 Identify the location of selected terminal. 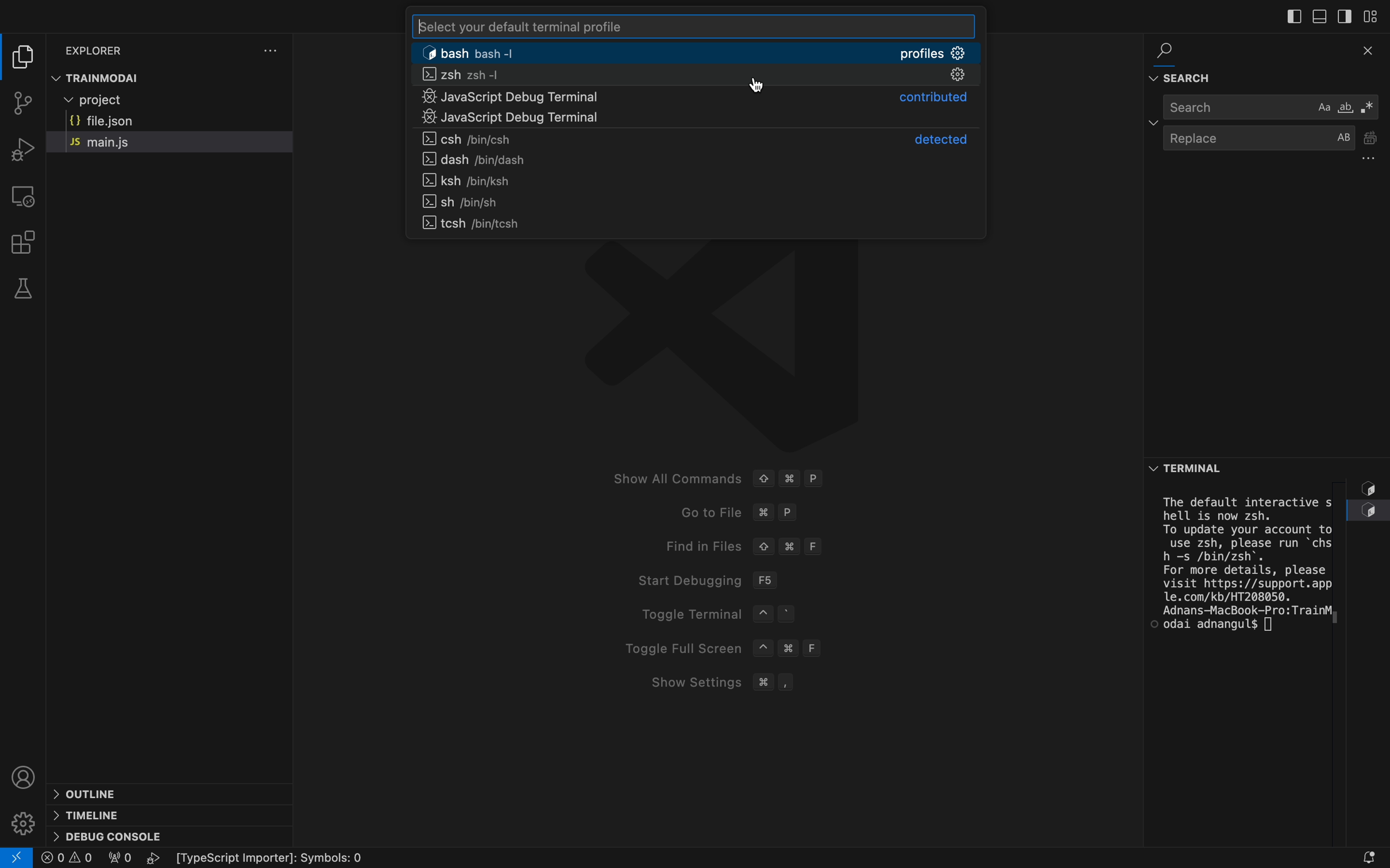
(696, 52).